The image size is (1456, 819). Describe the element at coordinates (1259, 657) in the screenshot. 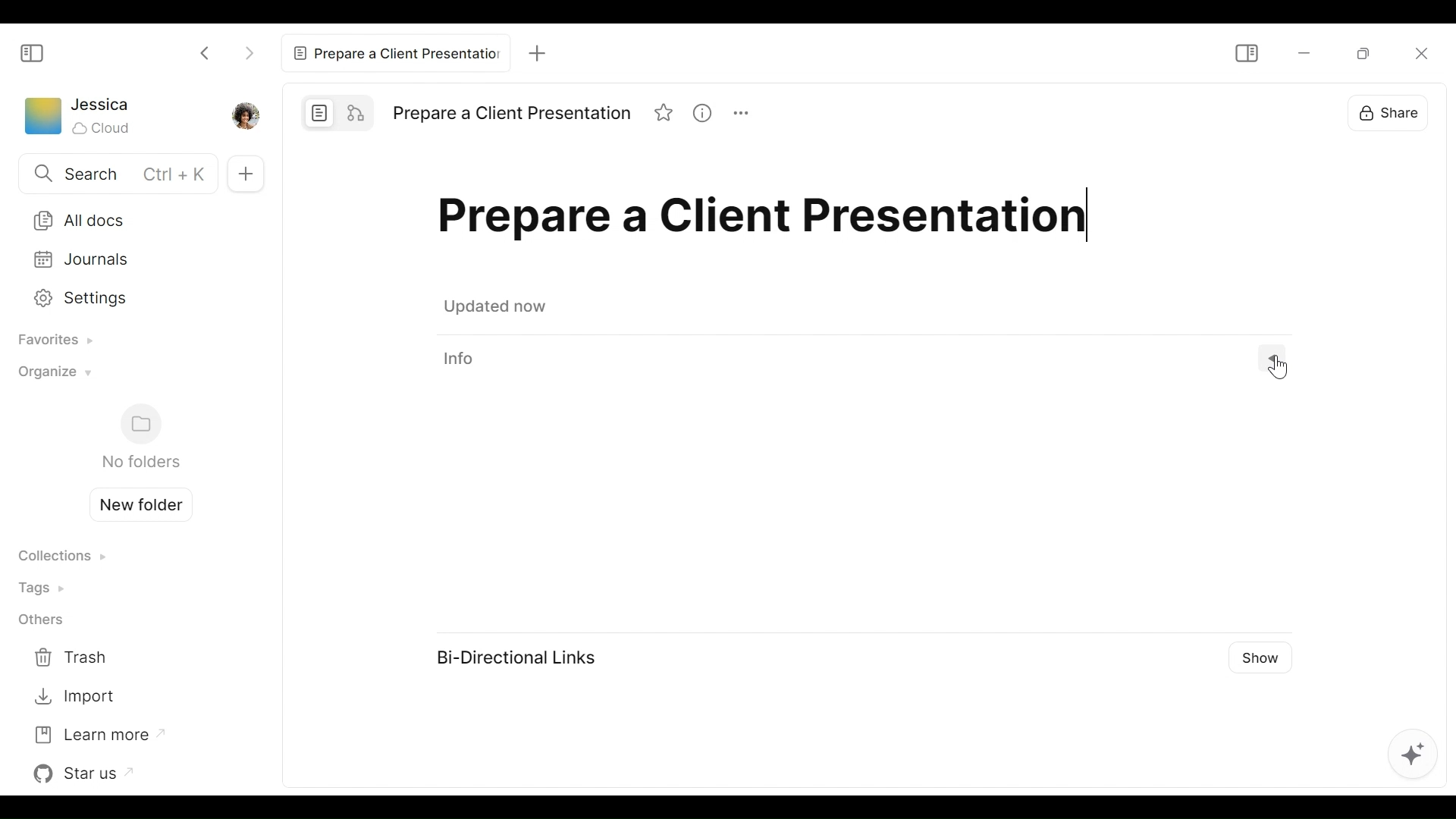

I see `Show` at that location.